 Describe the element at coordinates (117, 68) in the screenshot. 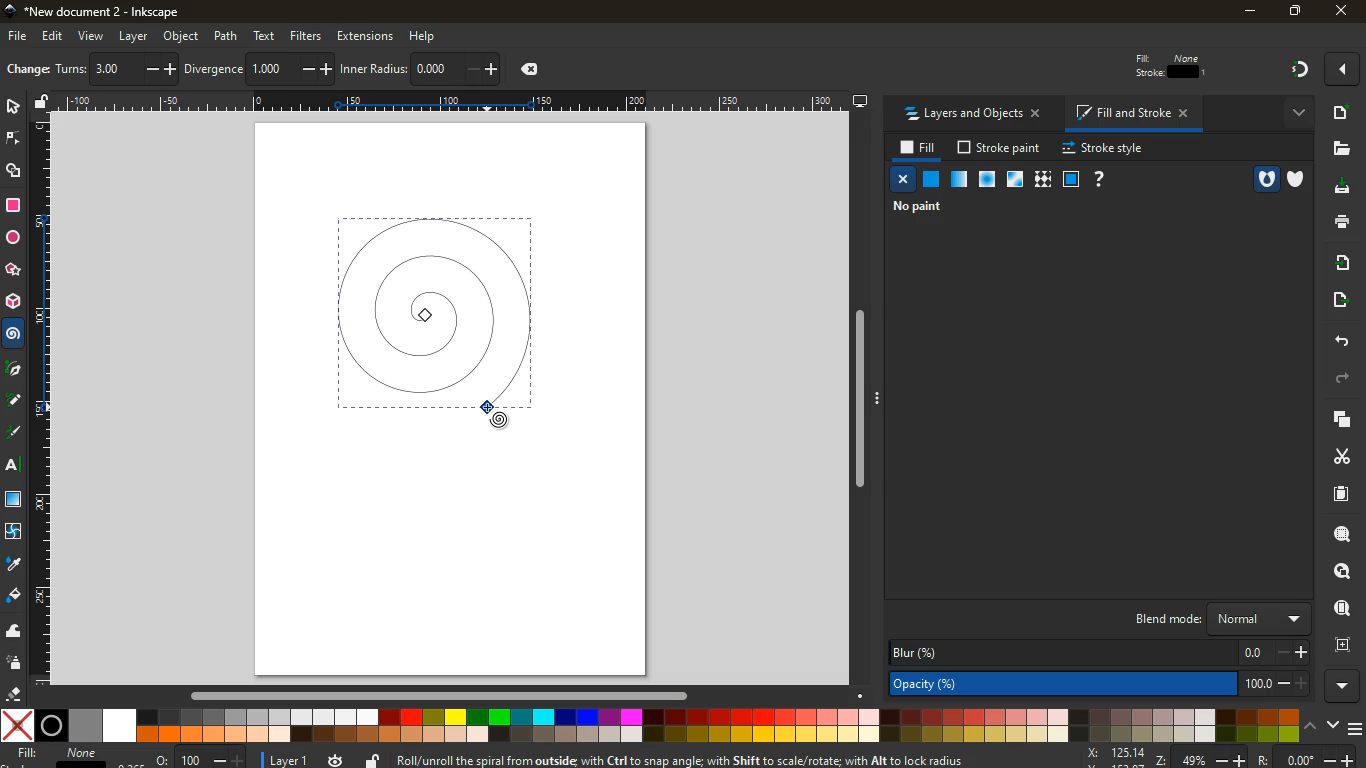

I see `turns` at that location.